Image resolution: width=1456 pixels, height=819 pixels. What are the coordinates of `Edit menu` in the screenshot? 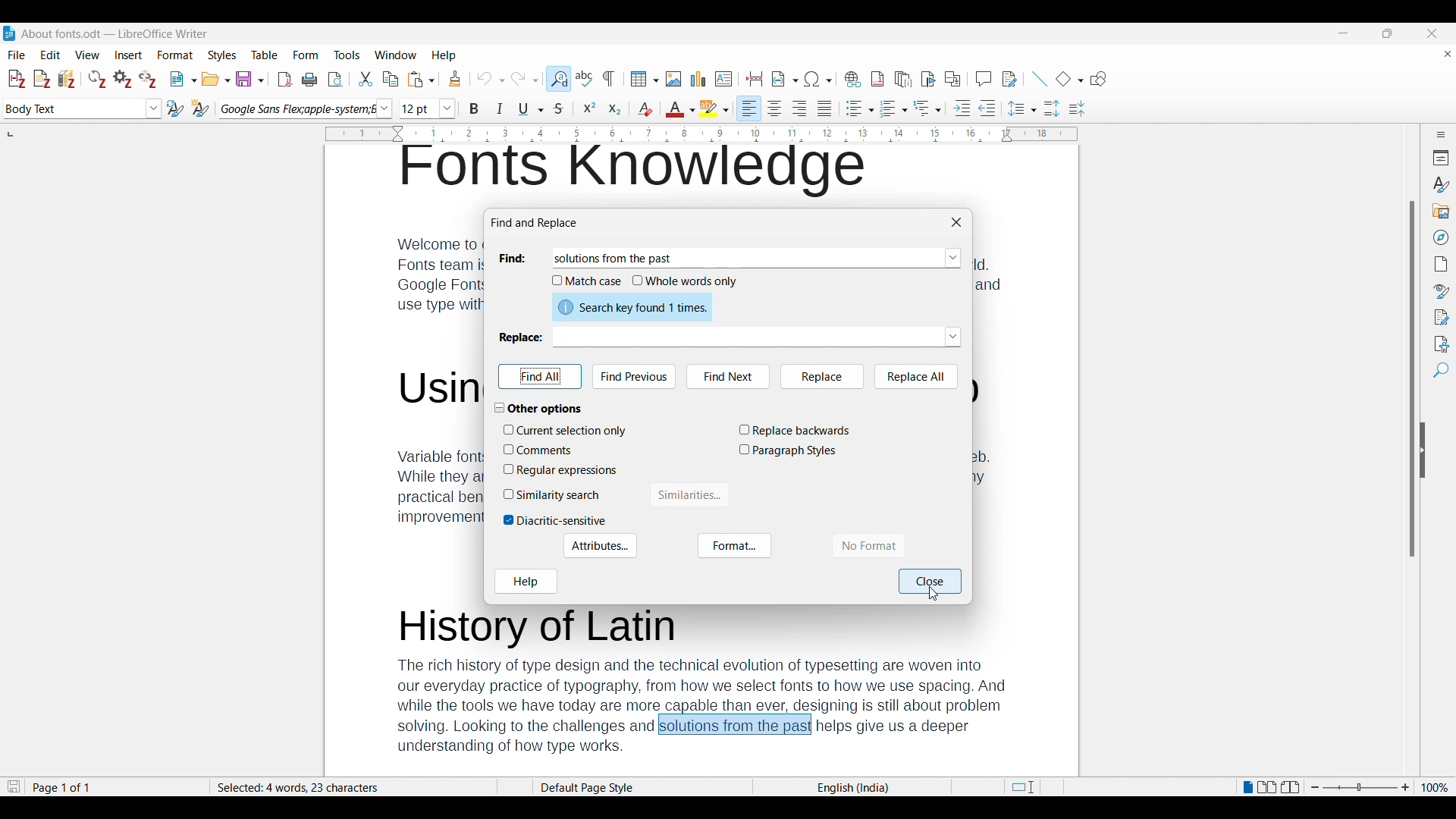 It's located at (51, 55).